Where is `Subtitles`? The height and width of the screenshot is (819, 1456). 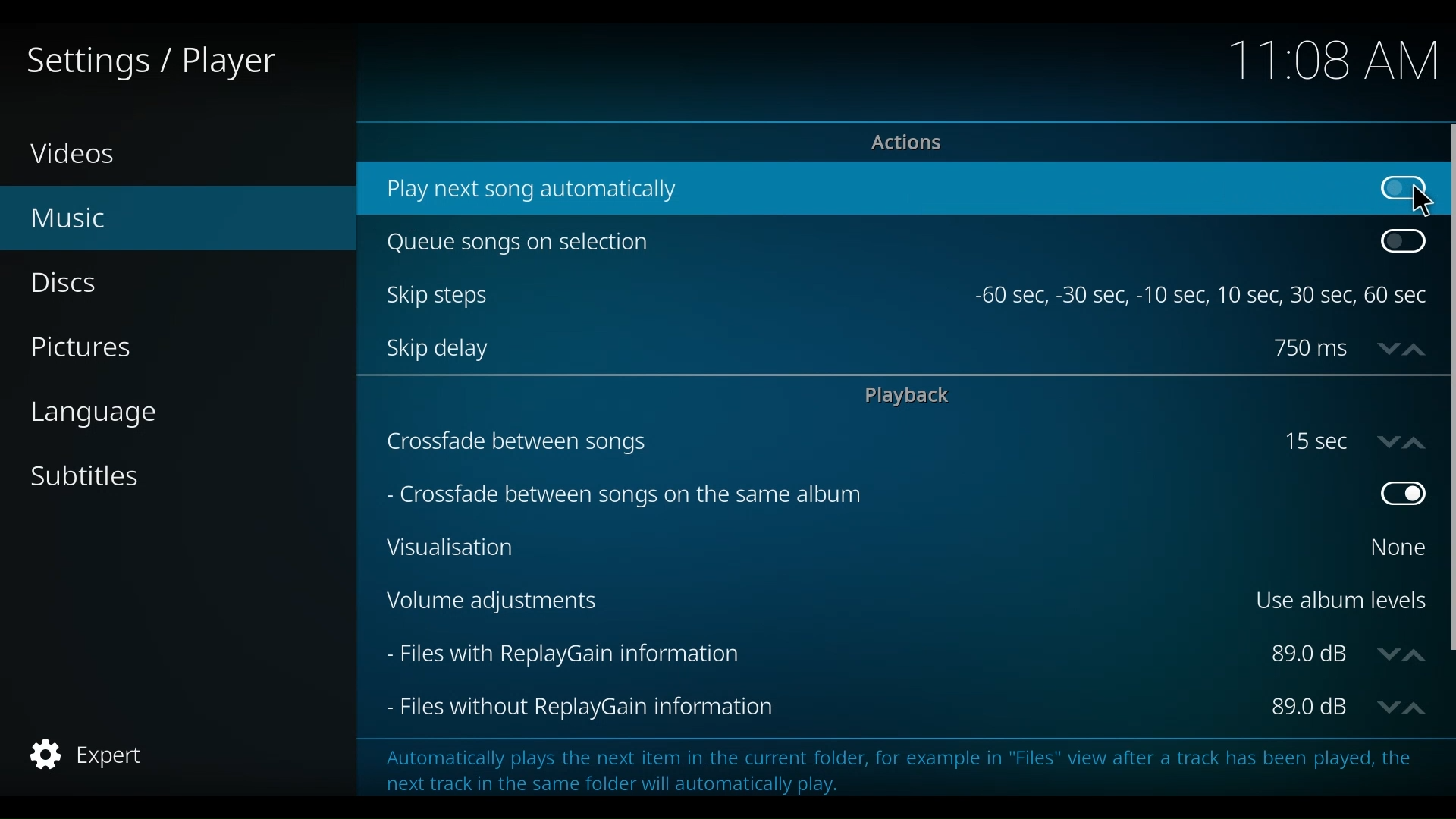
Subtitles is located at coordinates (93, 479).